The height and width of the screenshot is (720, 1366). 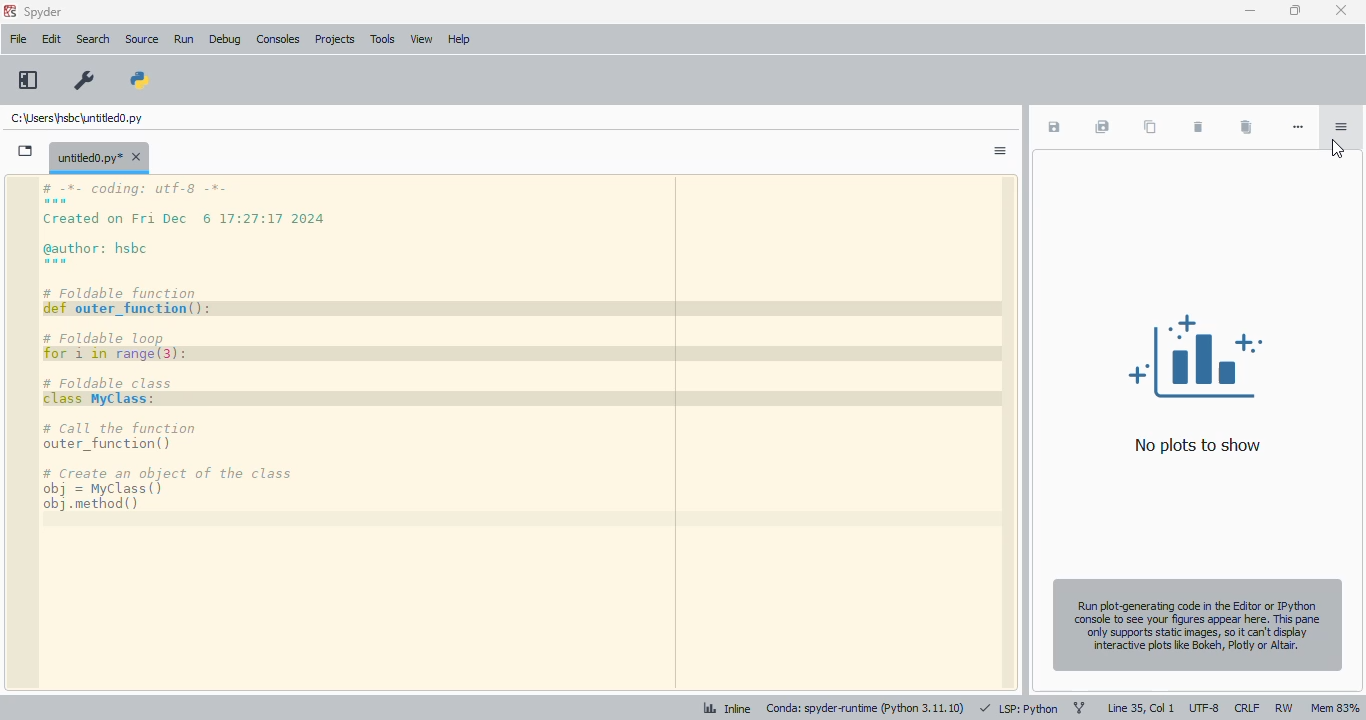 What do you see at coordinates (382, 39) in the screenshot?
I see `tools` at bounding box center [382, 39].